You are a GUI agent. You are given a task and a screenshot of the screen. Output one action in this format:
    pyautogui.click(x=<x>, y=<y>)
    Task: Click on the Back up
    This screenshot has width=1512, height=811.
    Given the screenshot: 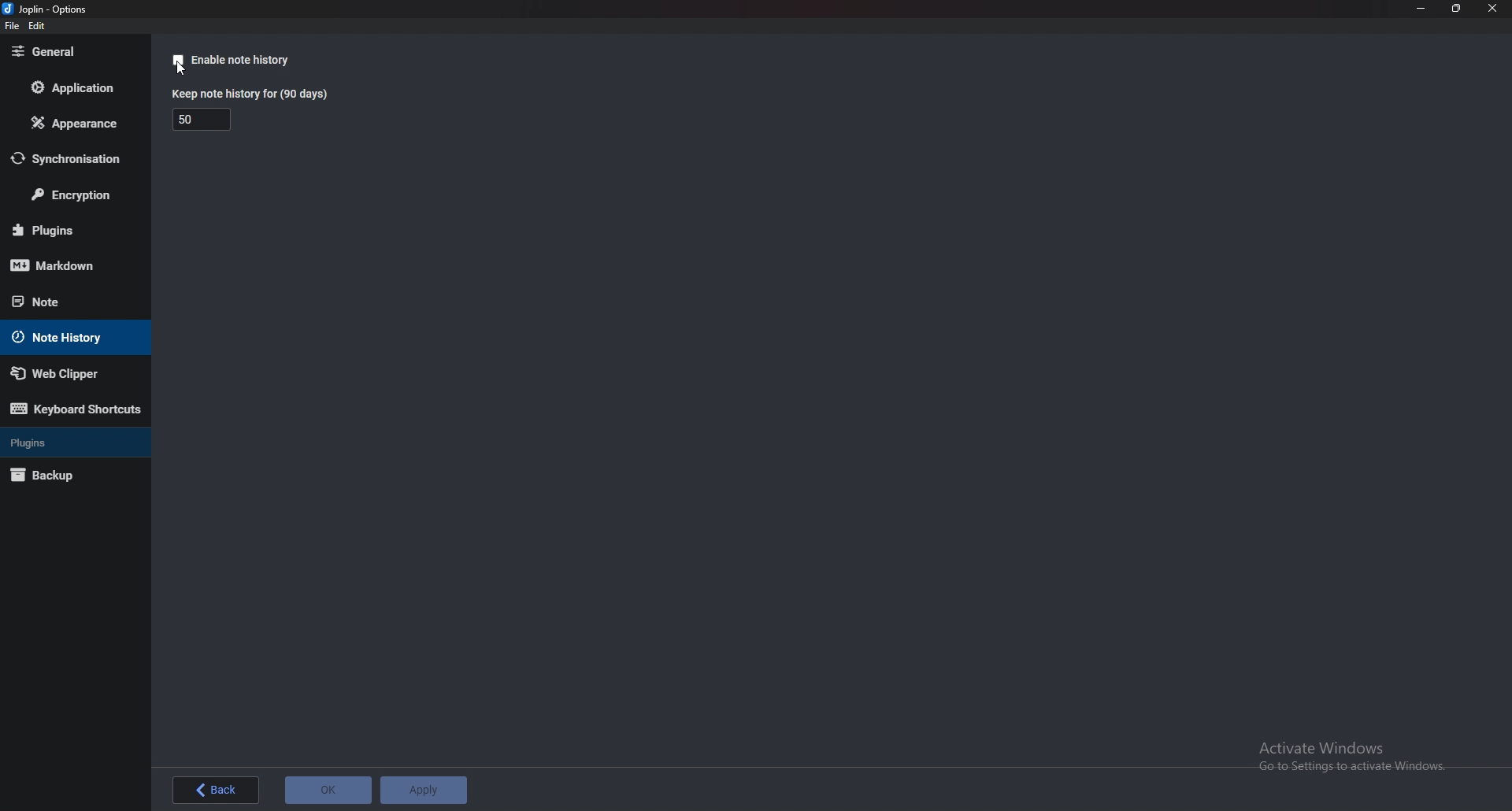 What is the action you would take?
    pyautogui.click(x=63, y=476)
    